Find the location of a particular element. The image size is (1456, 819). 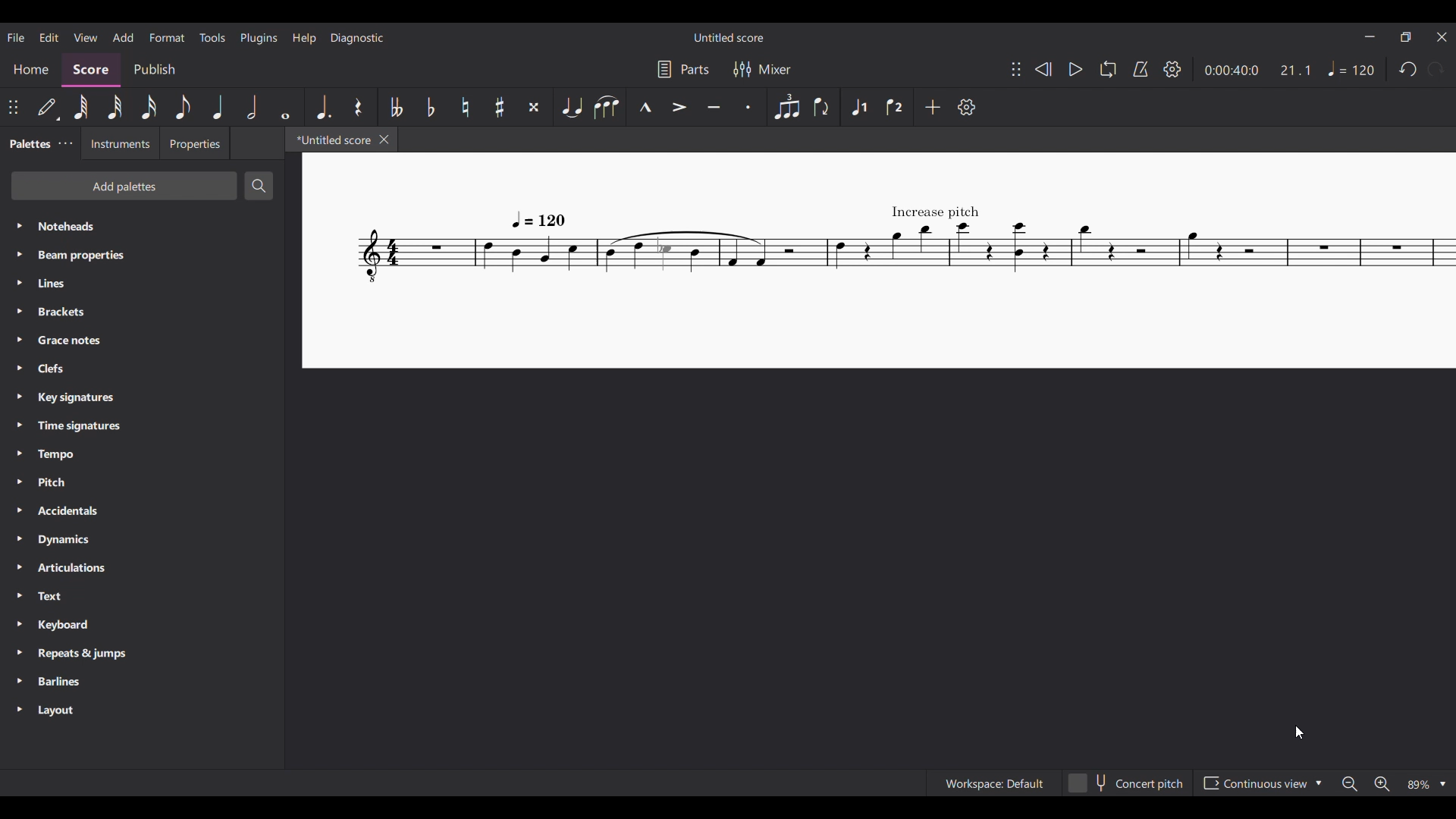

Diagnostic menu is located at coordinates (356, 39).